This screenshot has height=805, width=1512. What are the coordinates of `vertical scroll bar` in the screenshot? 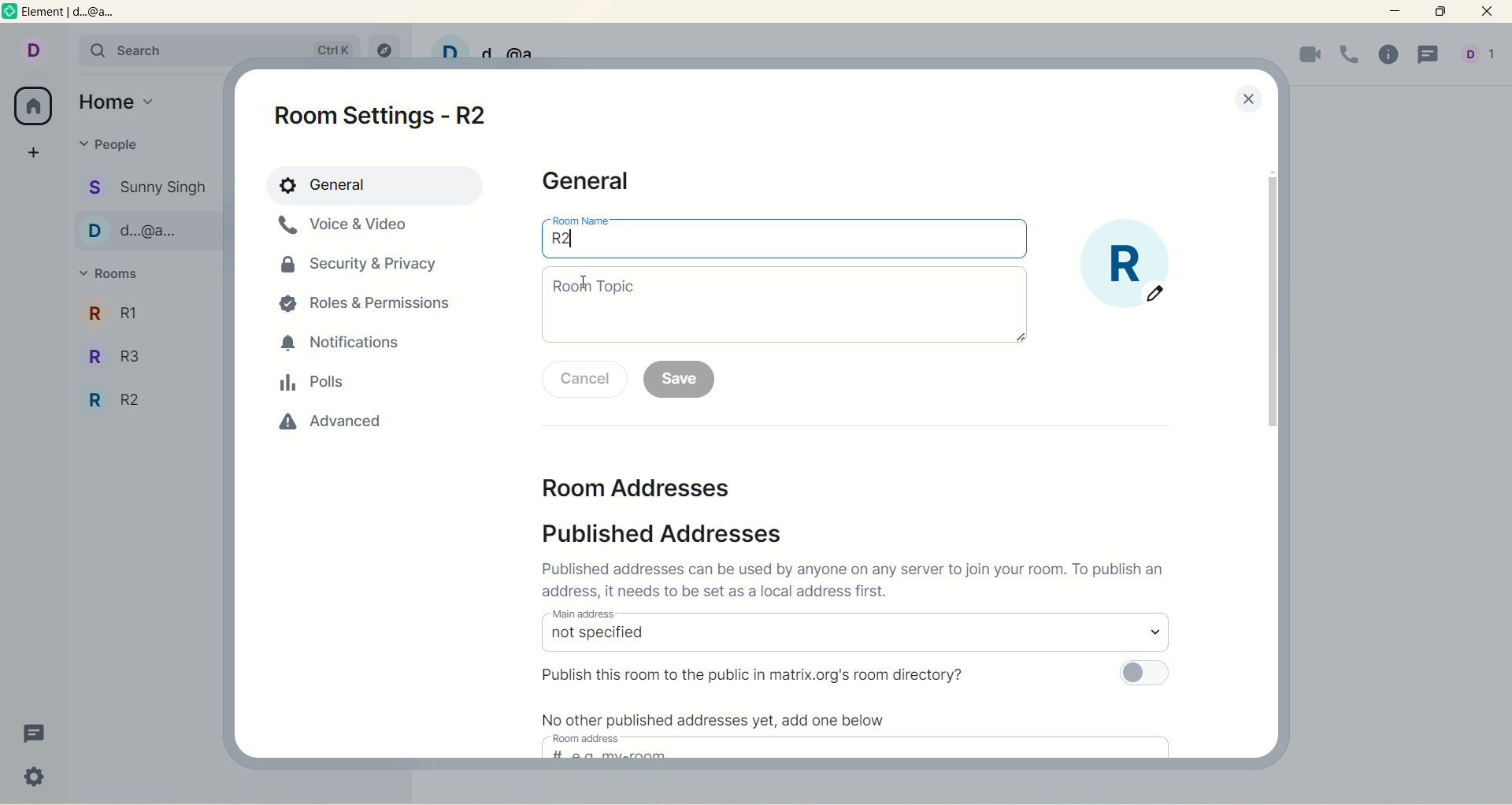 It's located at (1270, 303).